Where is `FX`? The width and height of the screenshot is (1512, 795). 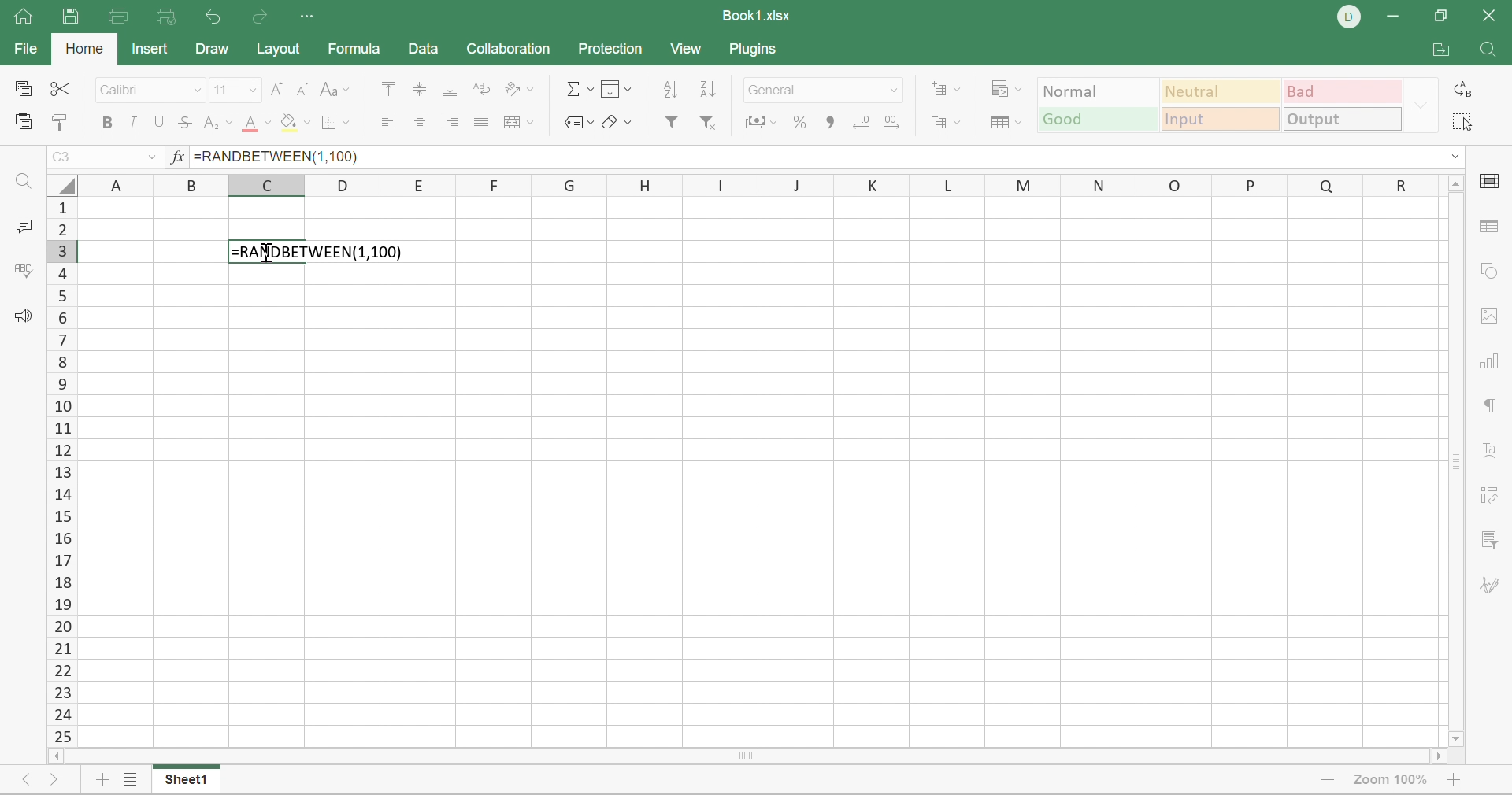 FX is located at coordinates (176, 158).